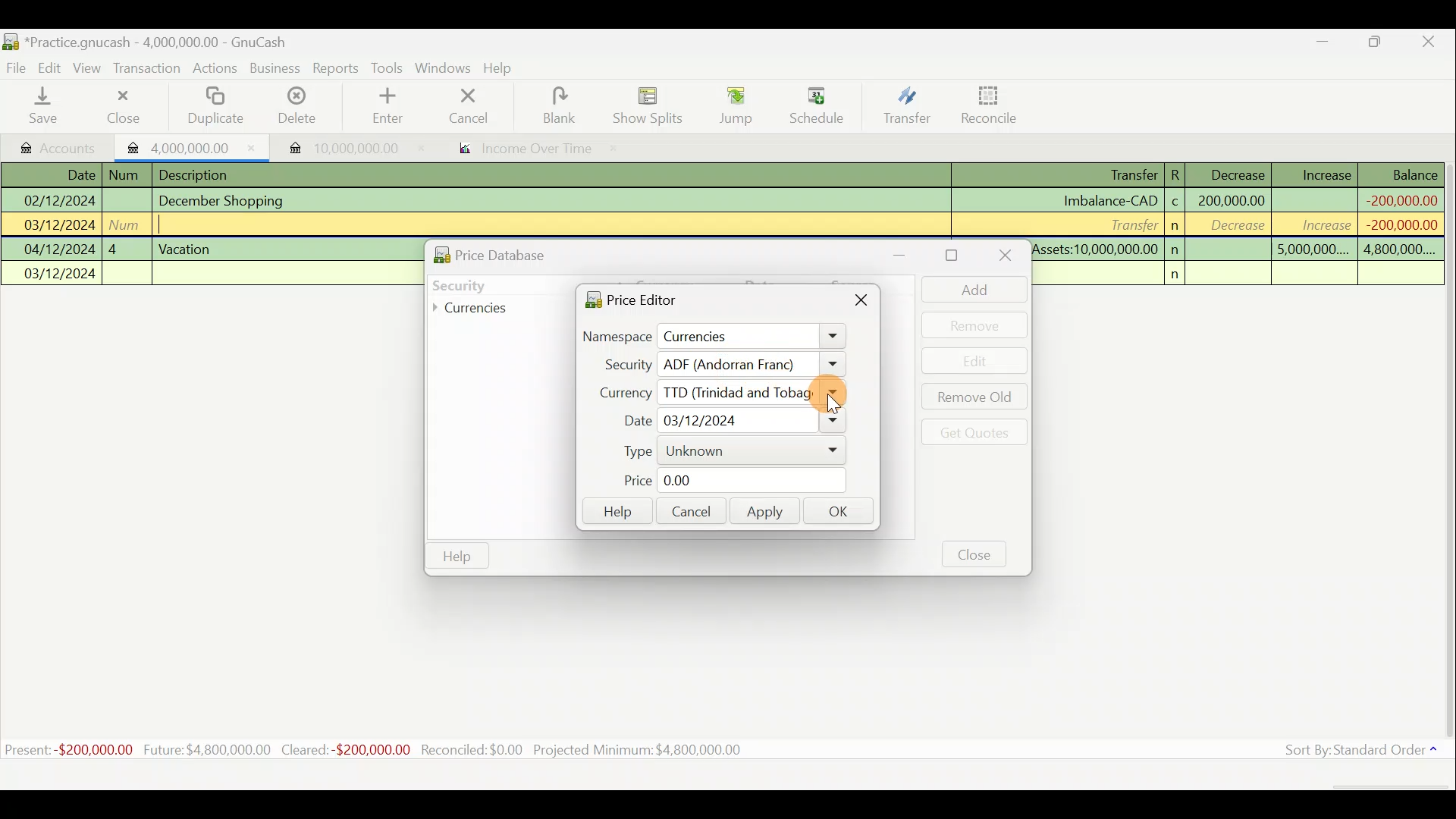 This screenshot has width=1456, height=819. I want to click on Close, so click(121, 106).